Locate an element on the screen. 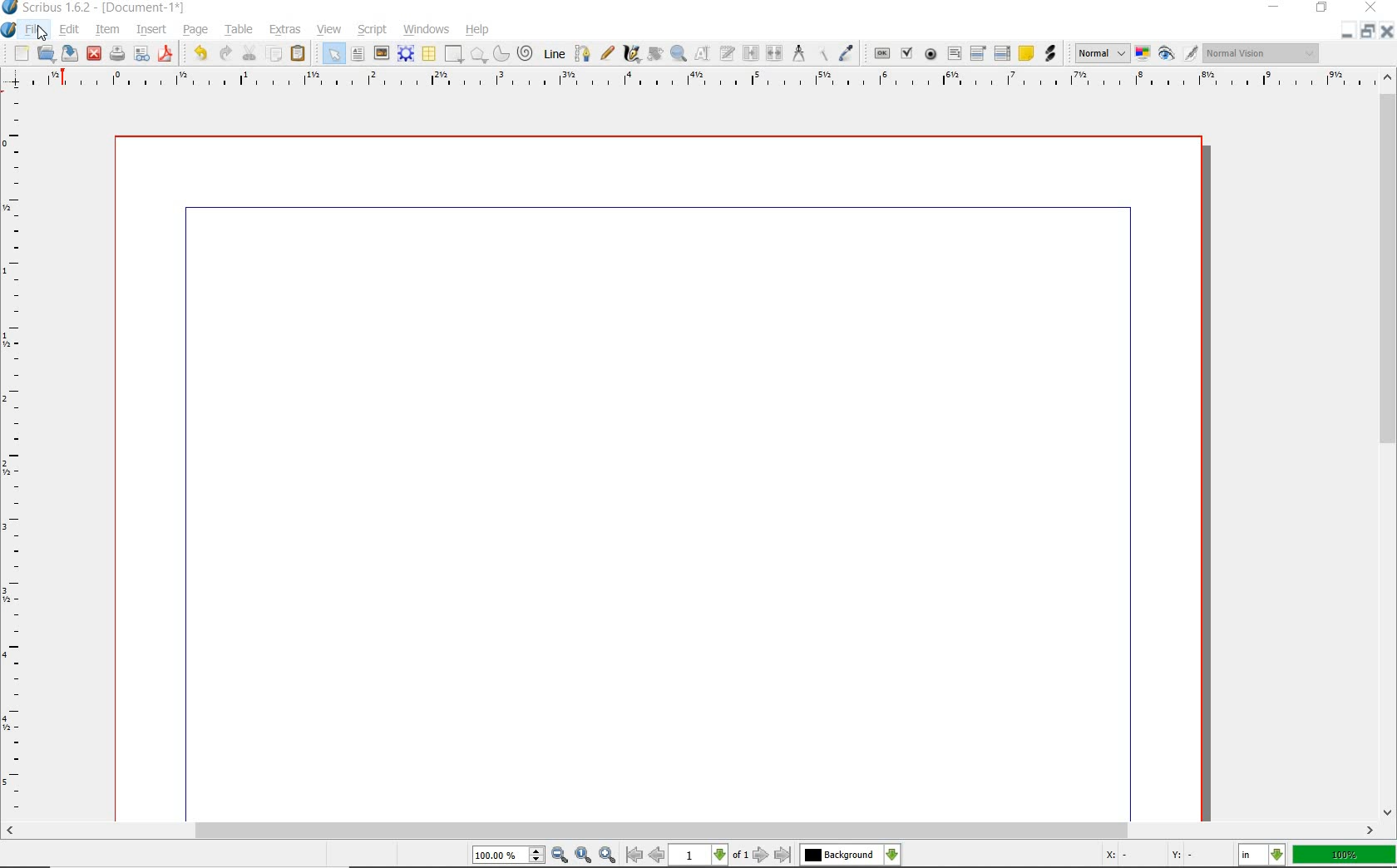 This screenshot has width=1397, height=868. Bezier curve is located at coordinates (582, 52).